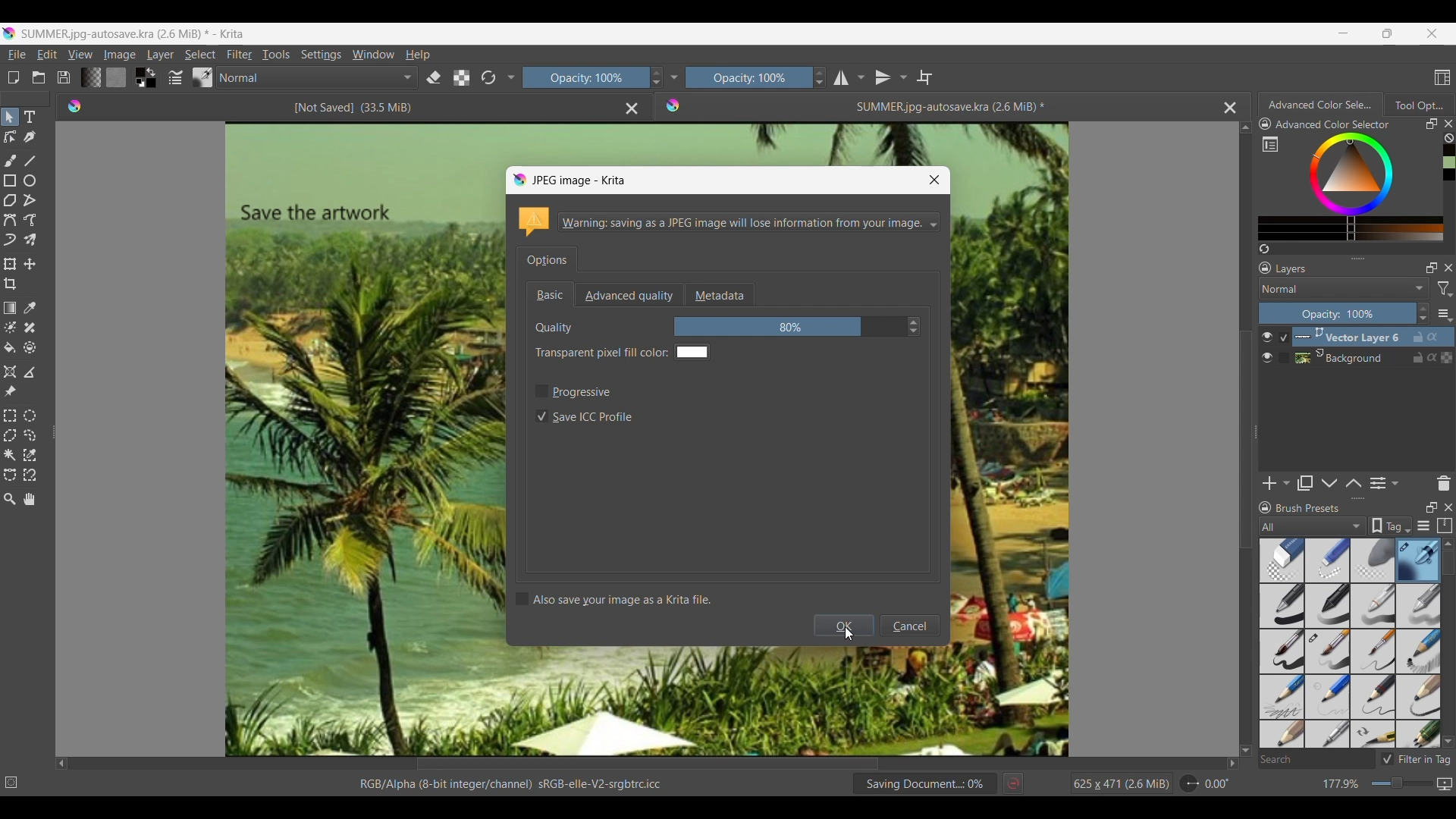  I want to click on Add new layer, so click(1276, 483).